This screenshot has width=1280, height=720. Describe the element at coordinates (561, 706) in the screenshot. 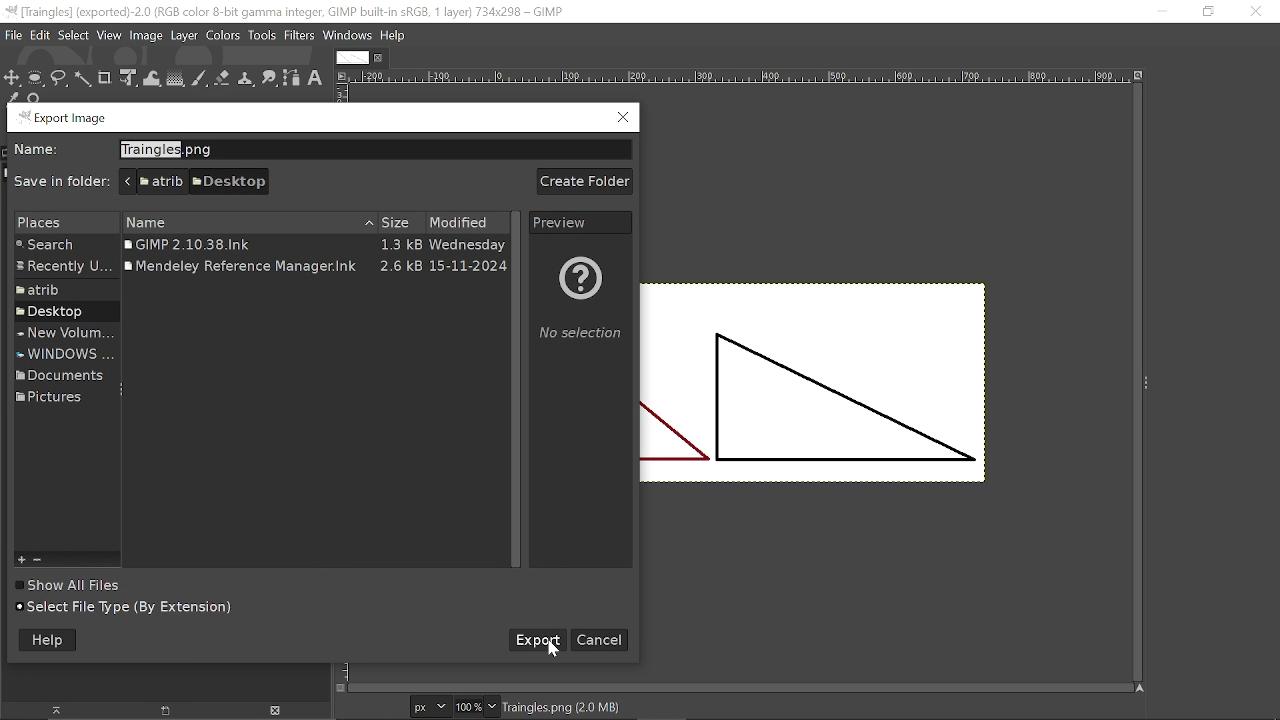

I see `Format of the current file` at that location.